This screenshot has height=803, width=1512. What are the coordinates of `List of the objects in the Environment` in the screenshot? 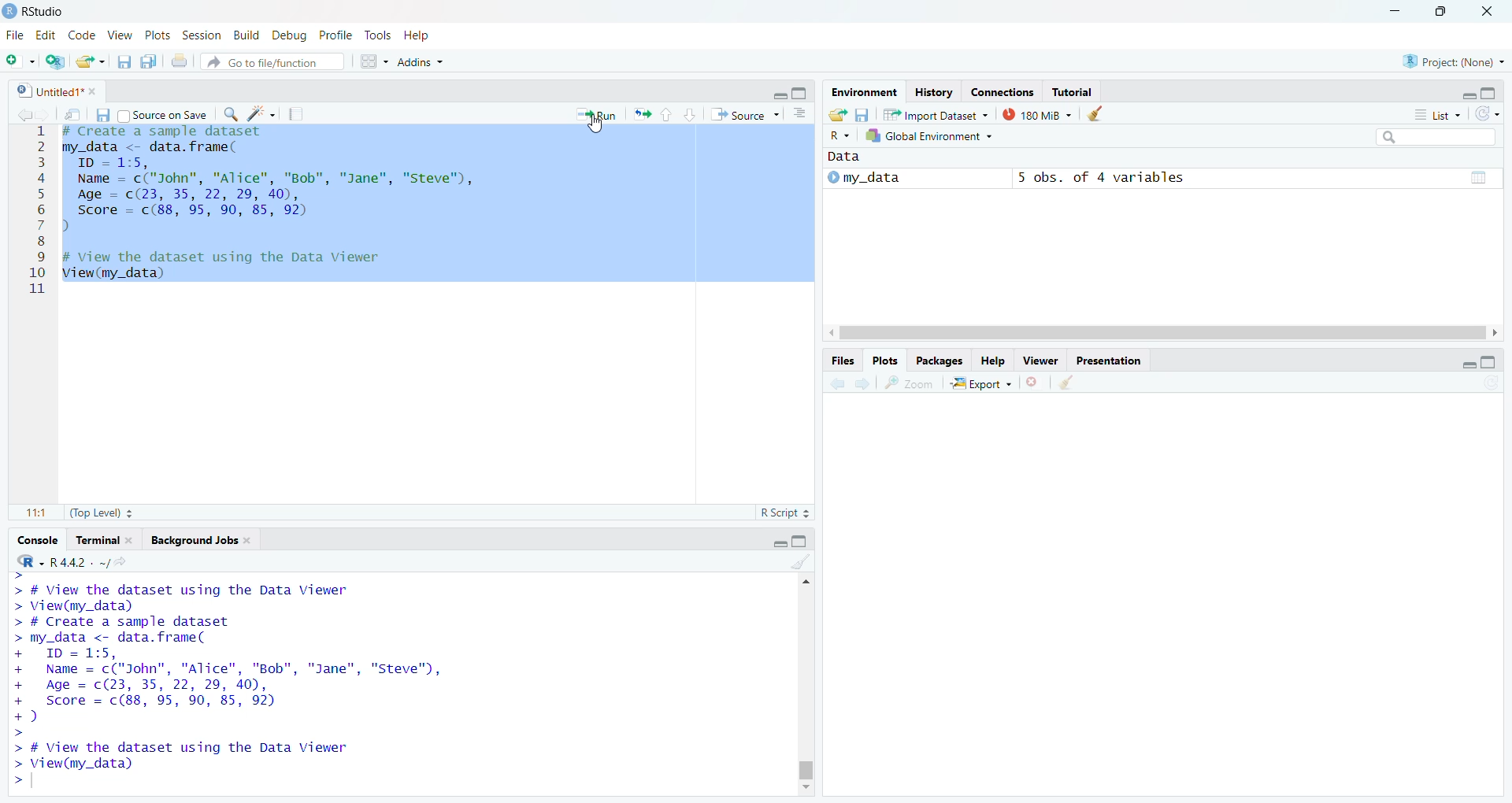 It's located at (1488, 115).